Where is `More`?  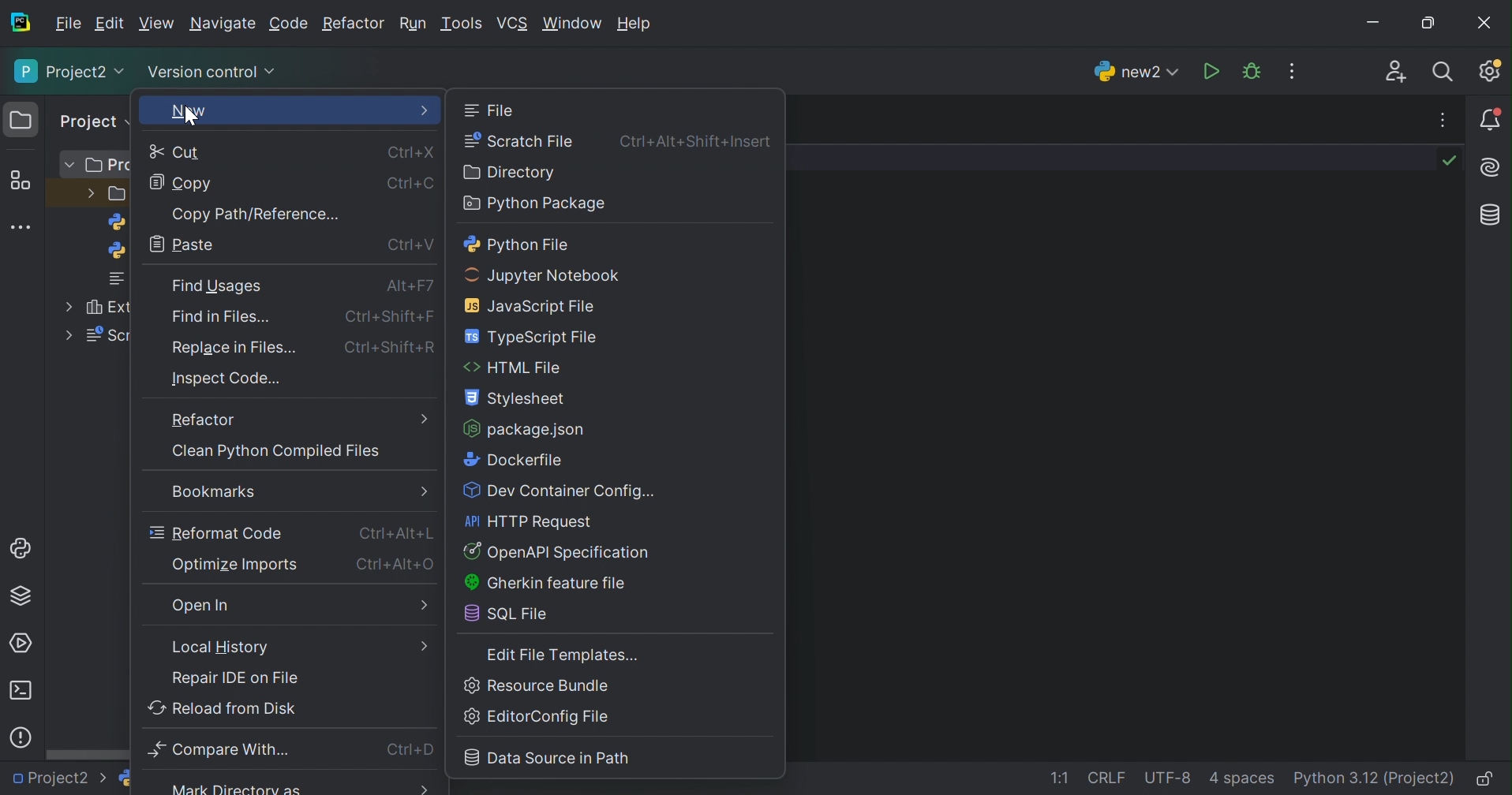
More is located at coordinates (65, 304).